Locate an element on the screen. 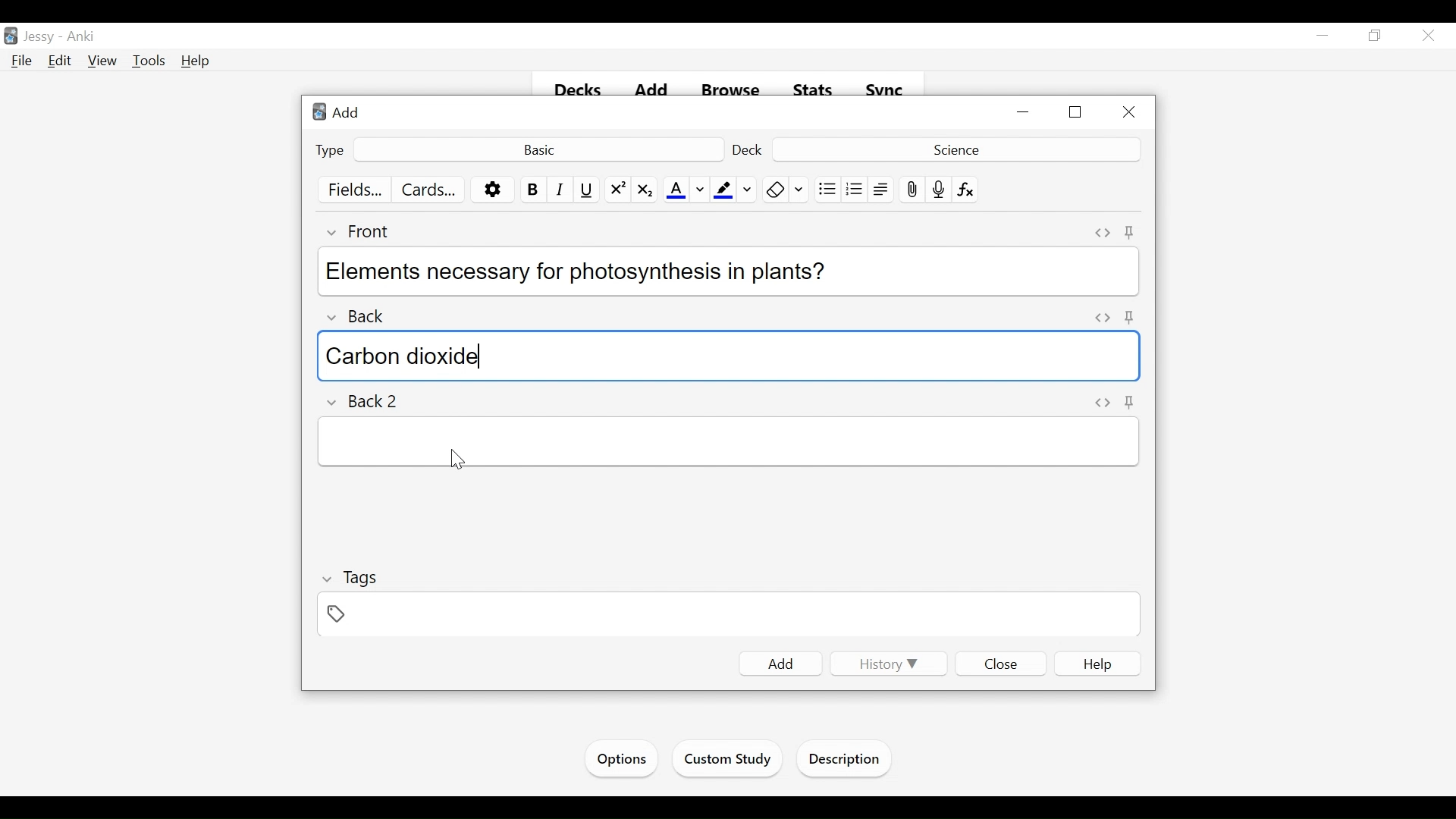 The image size is (1456, 819). Toggle Sticky is located at coordinates (1130, 232).